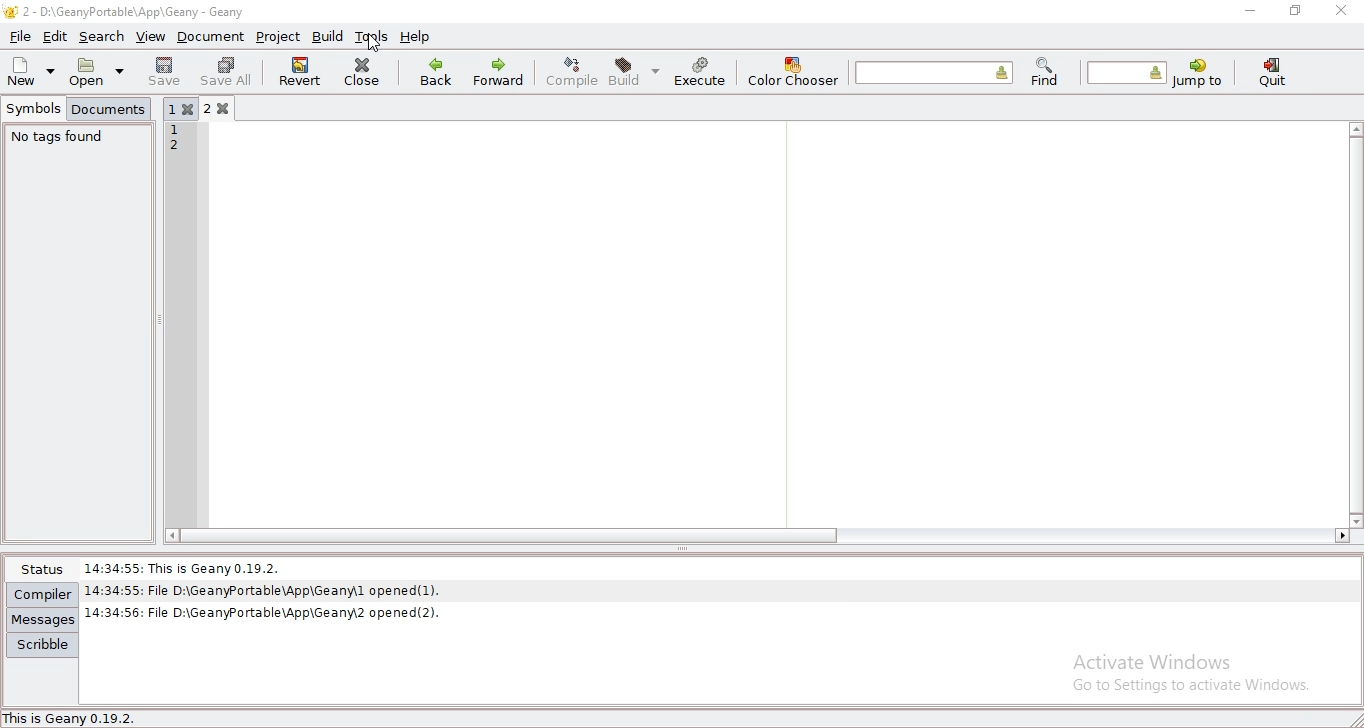 The height and width of the screenshot is (728, 1364). I want to click on help, so click(415, 36).